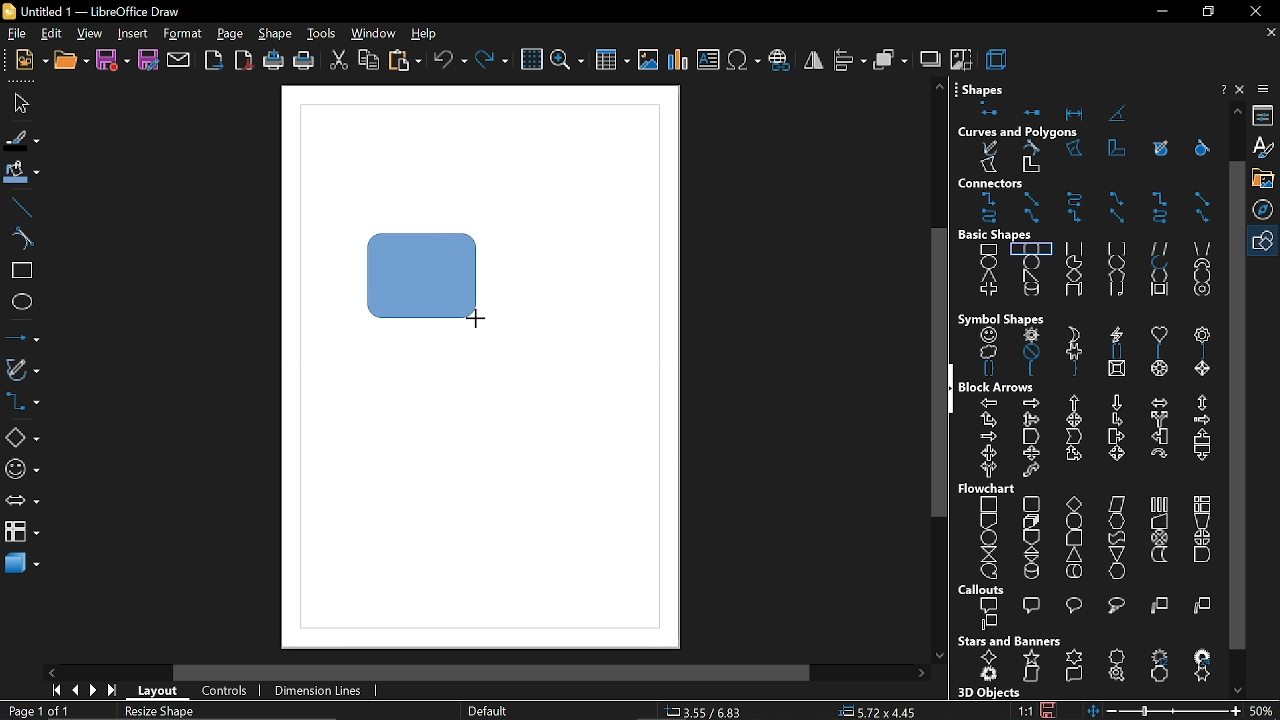 The image size is (1280, 720). I want to click on line, so click(22, 207).